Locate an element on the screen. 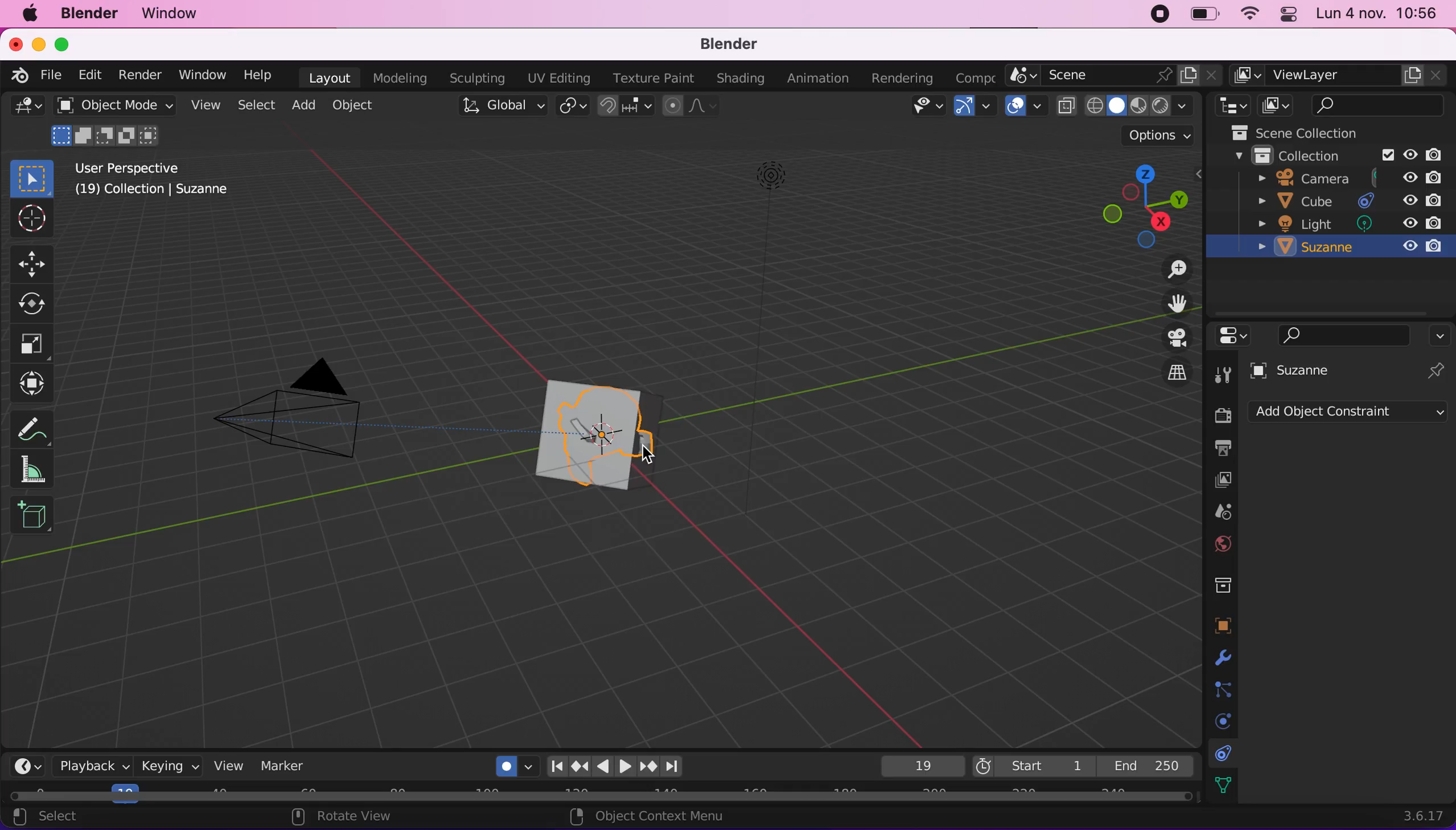 This screenshot has width=1456, height=830. viewlayer is located at coordinates (1333, 76).